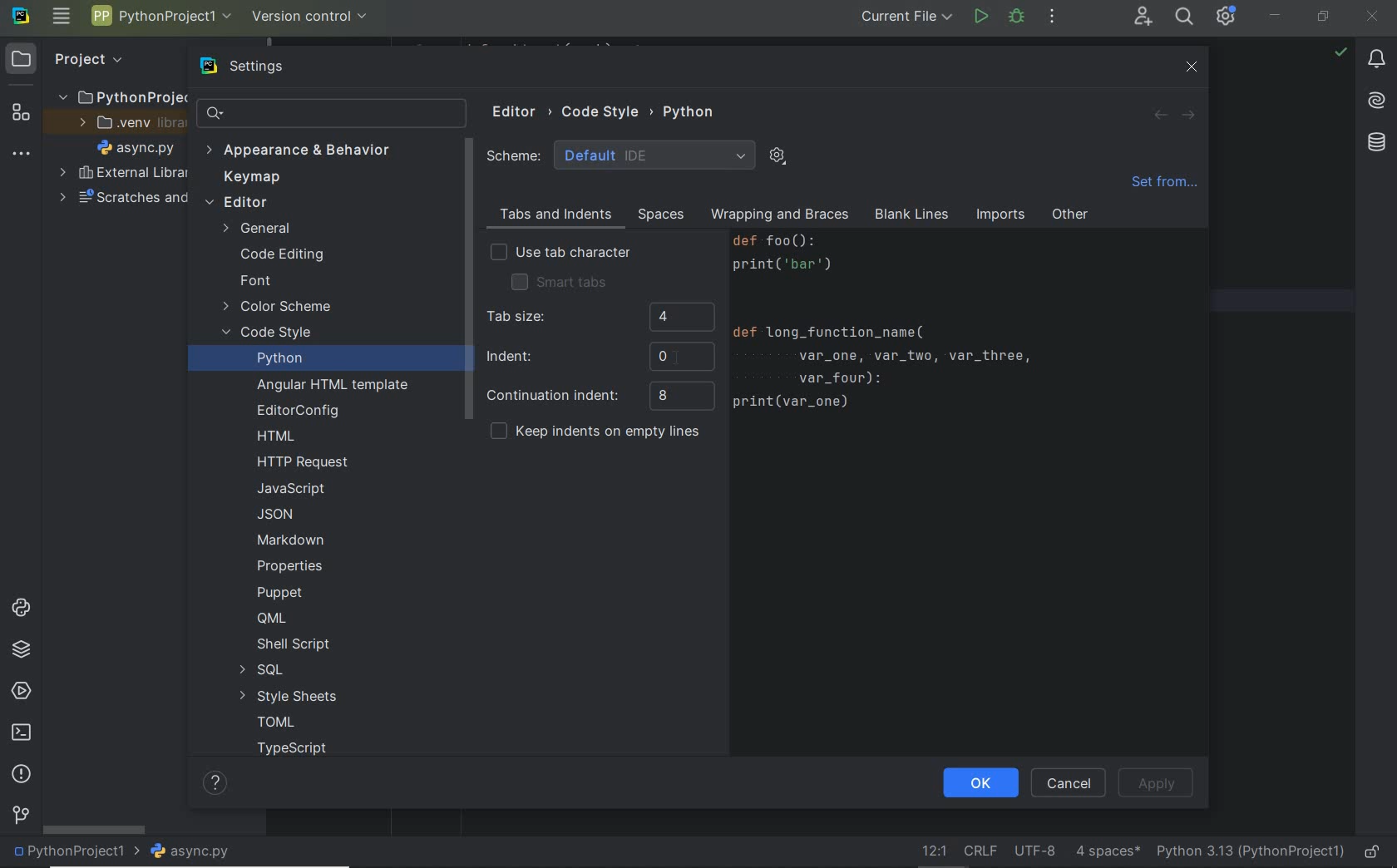  Describe the element at coordinates (274, 723) in the screenshot. I see `TOML` at that location.